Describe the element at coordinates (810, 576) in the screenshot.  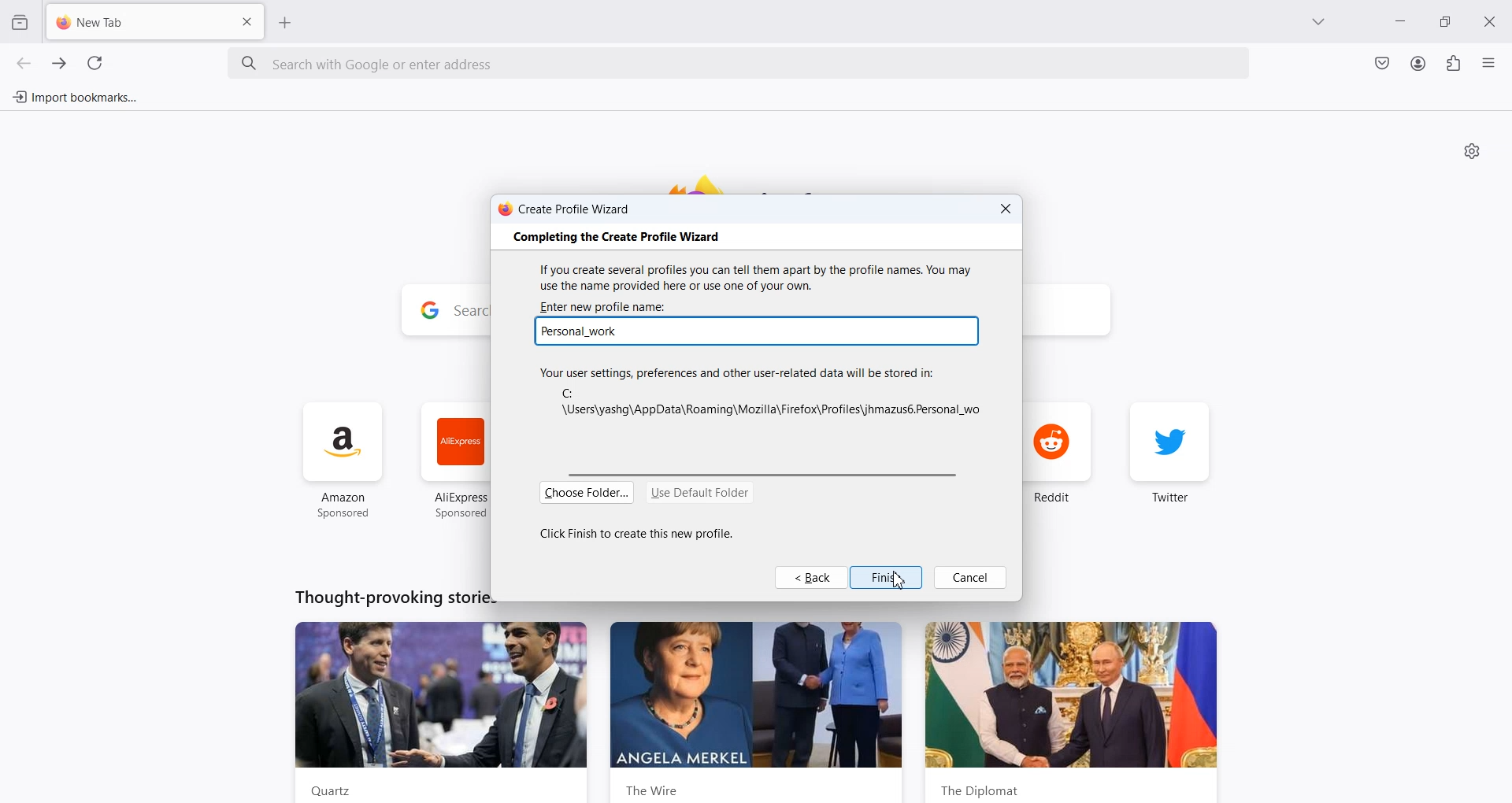
I see `Back` at that location.